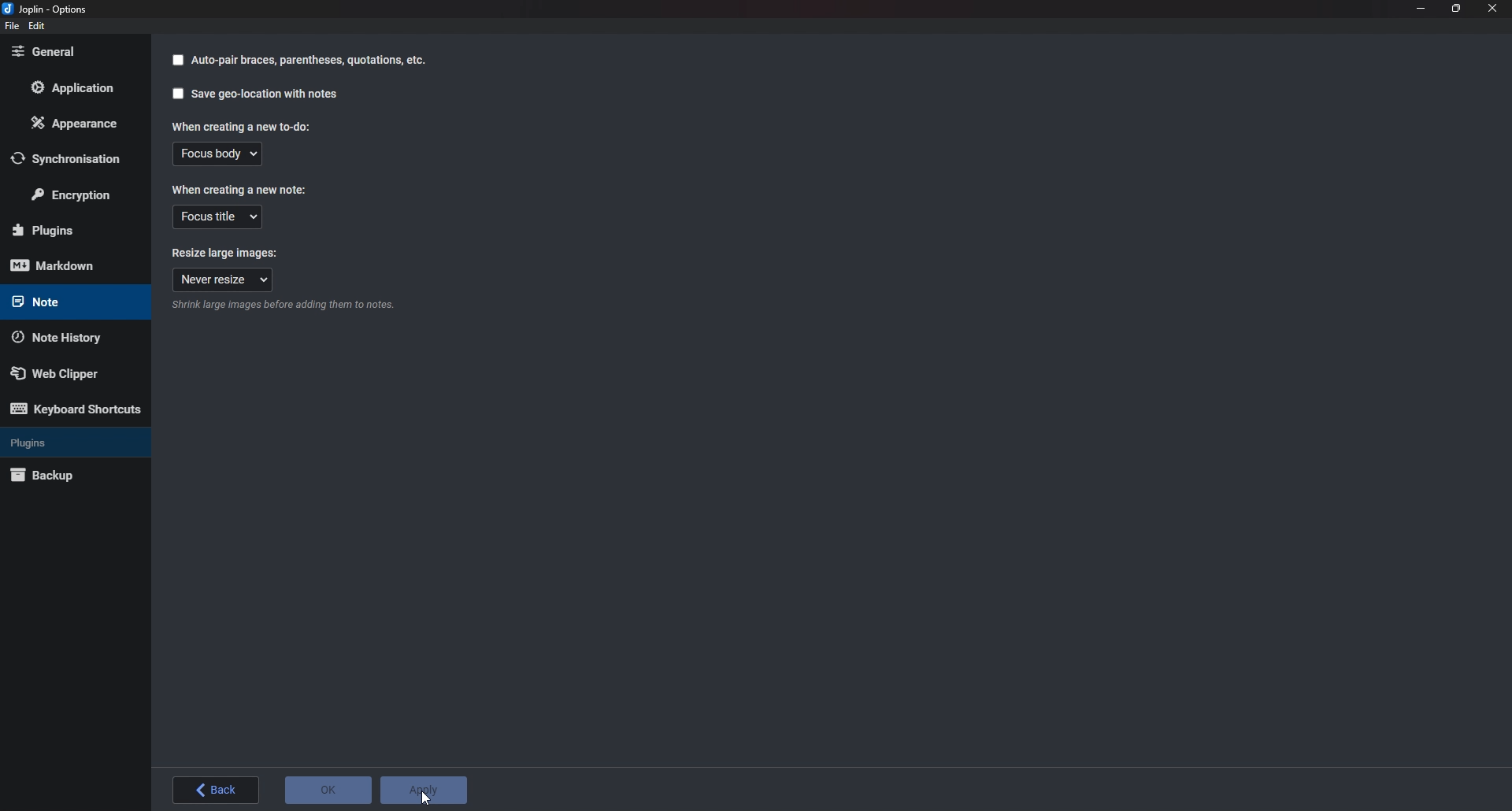 The height and width of the screenshot is (811, 1512). What do you see at coordinates (1492, 8) in the screenshot?
I see `close` at bounding box center [1492, 8].